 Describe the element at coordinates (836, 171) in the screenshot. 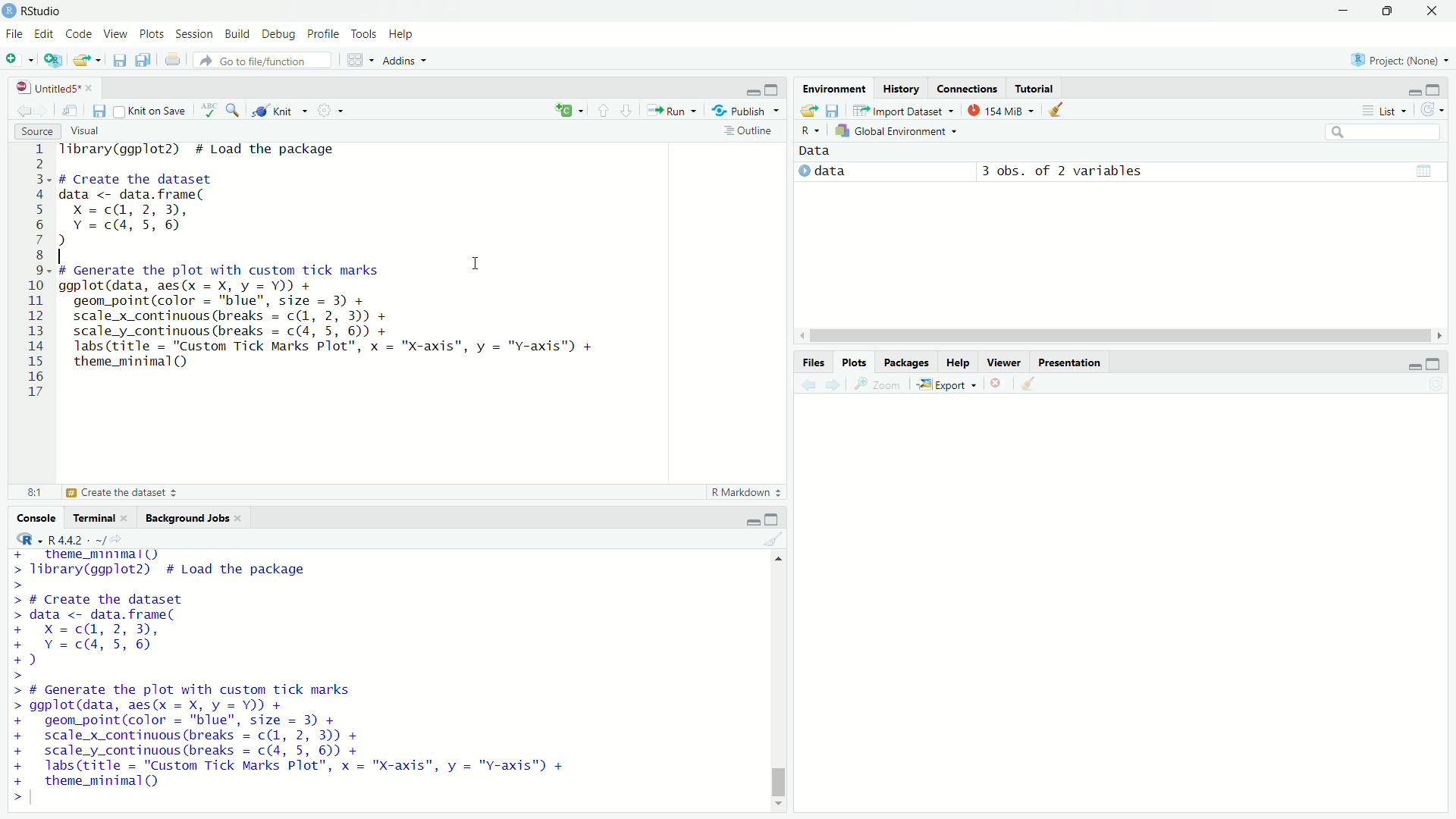

I see `data` at that location.